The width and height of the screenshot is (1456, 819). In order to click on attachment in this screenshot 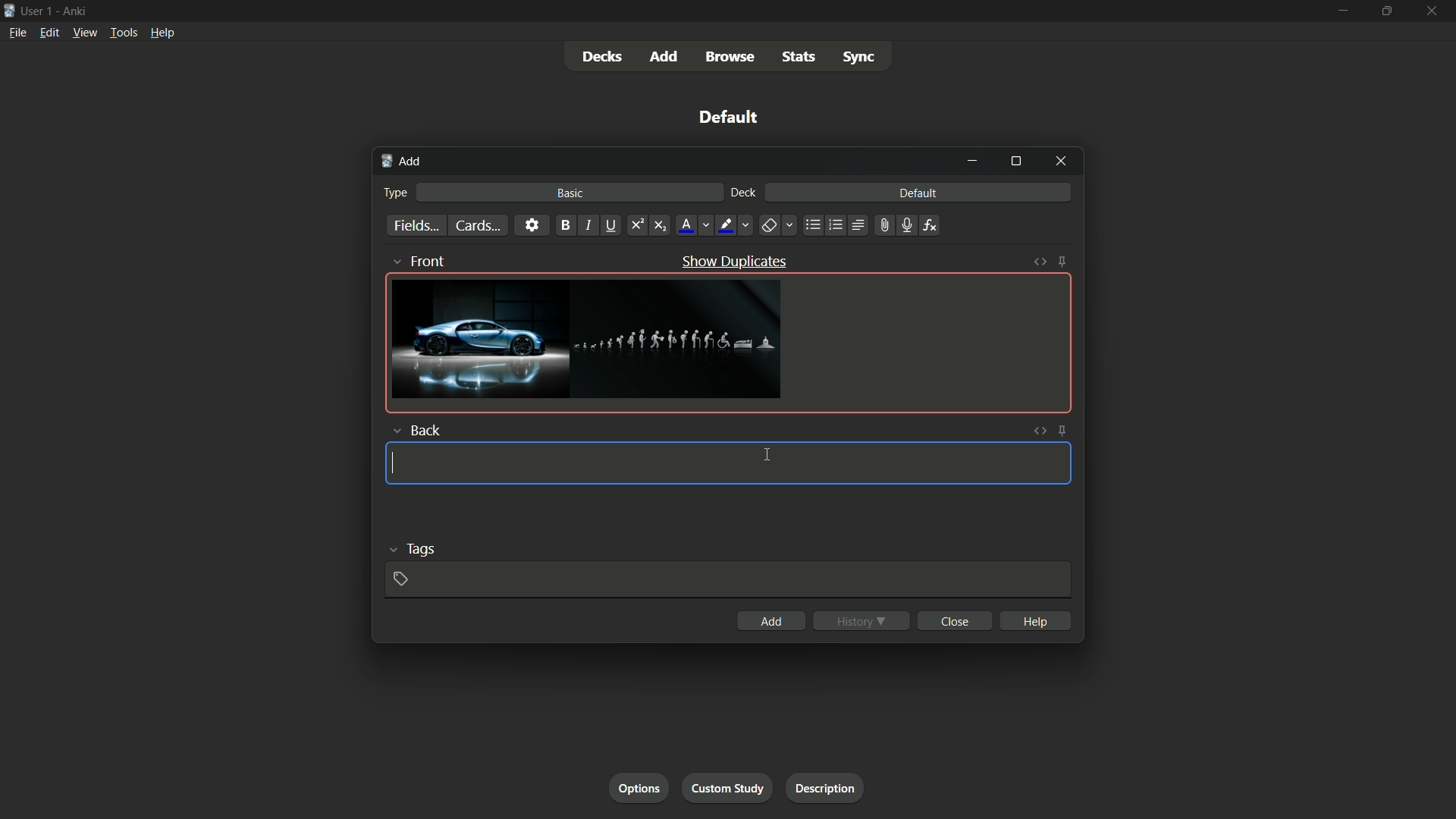, I will do `click(885, 224)`.